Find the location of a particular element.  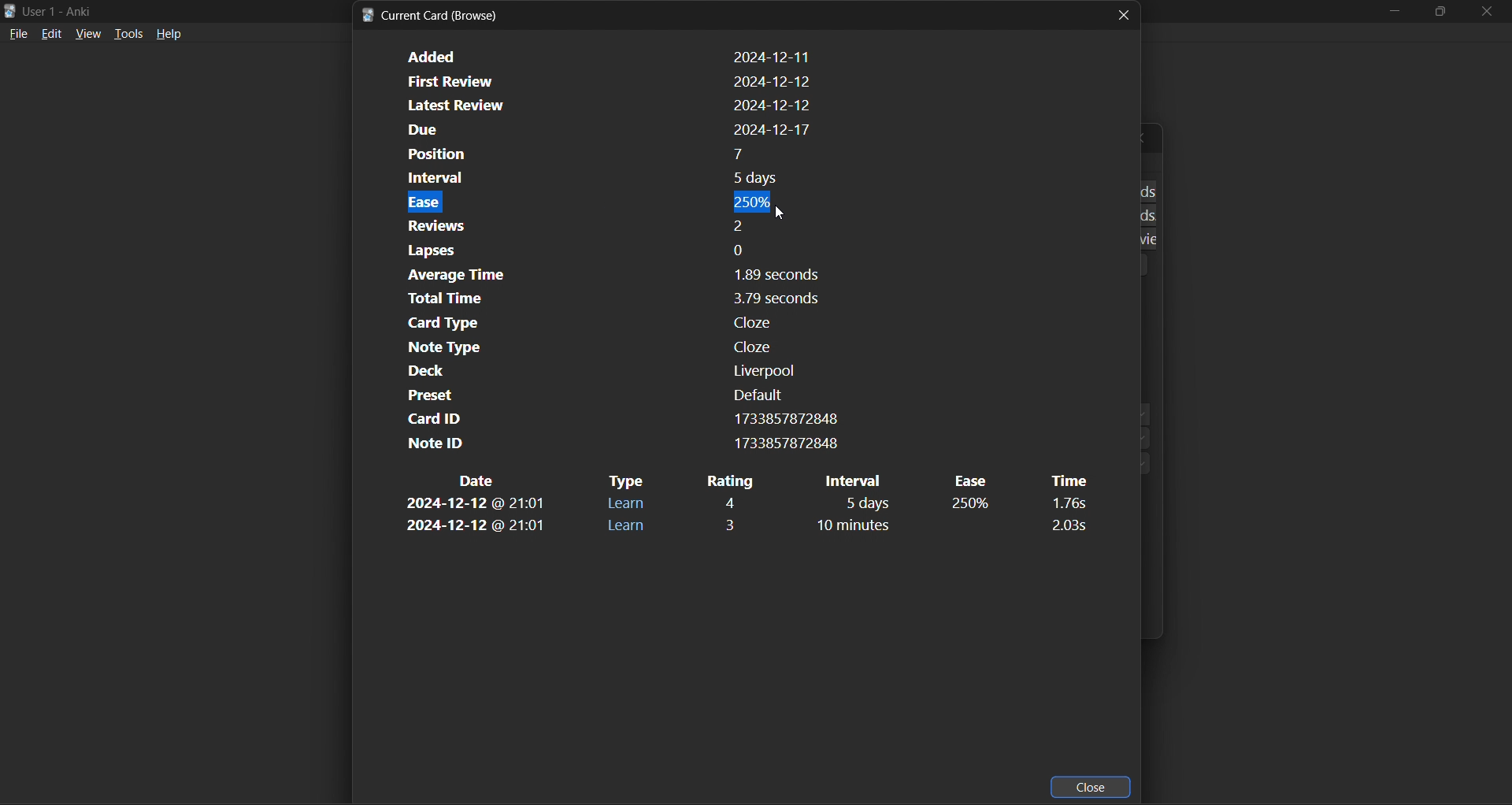

time is located at coordinates (1066, 480).